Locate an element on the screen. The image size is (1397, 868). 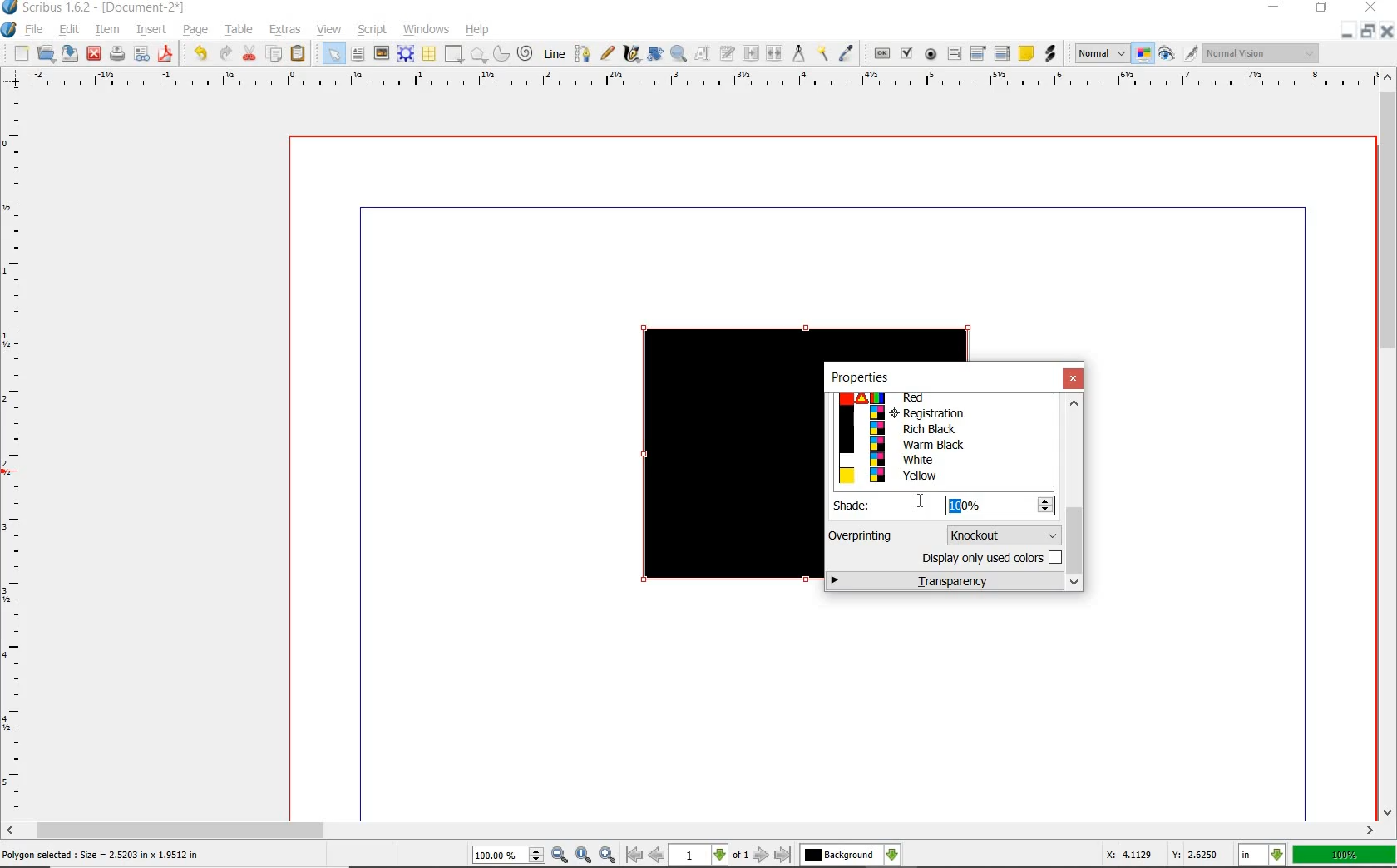
transparency is located at coordinates (945, 582).